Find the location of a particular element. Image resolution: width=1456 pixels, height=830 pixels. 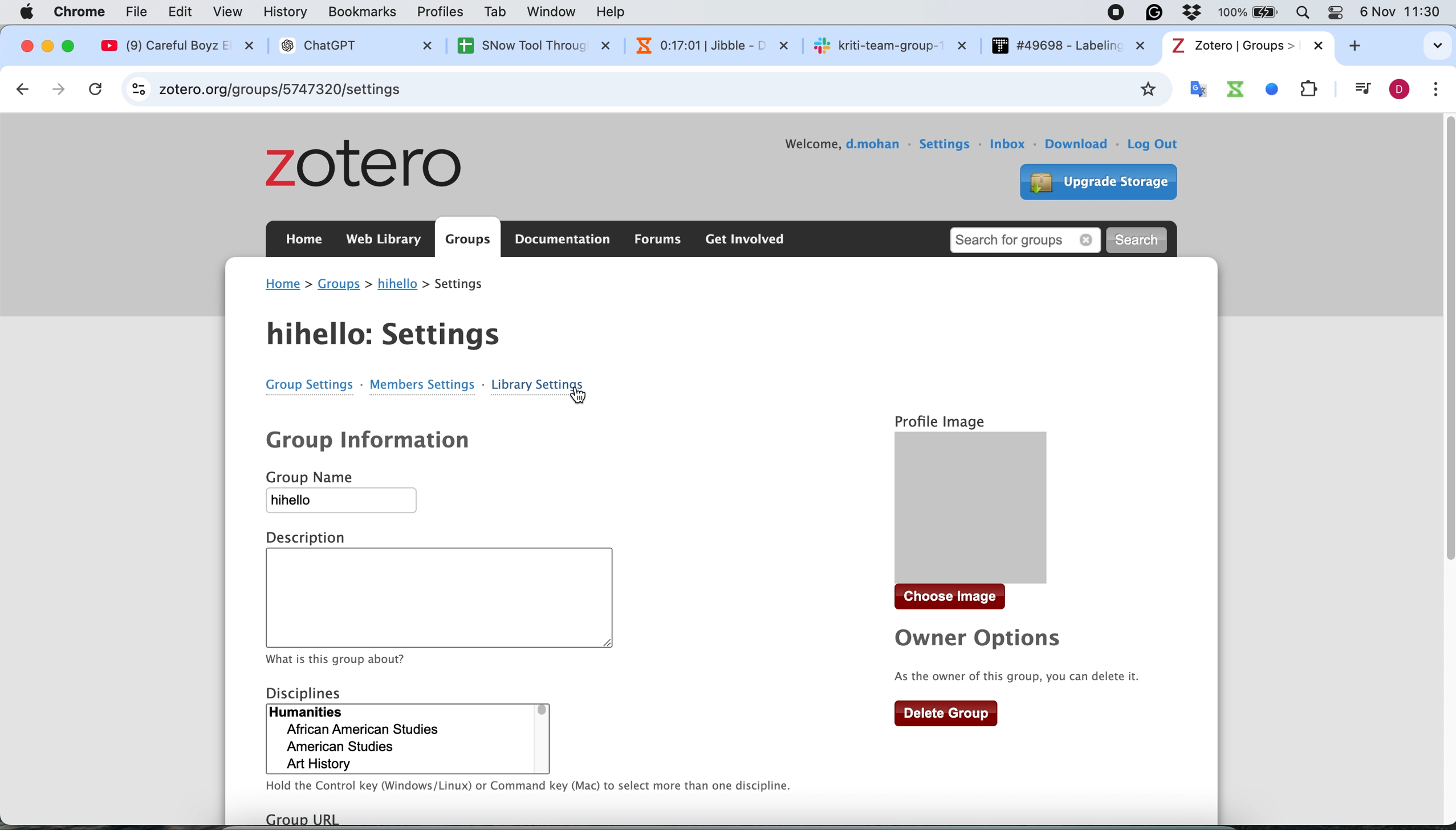

forums is located at coordinates (654, 240).